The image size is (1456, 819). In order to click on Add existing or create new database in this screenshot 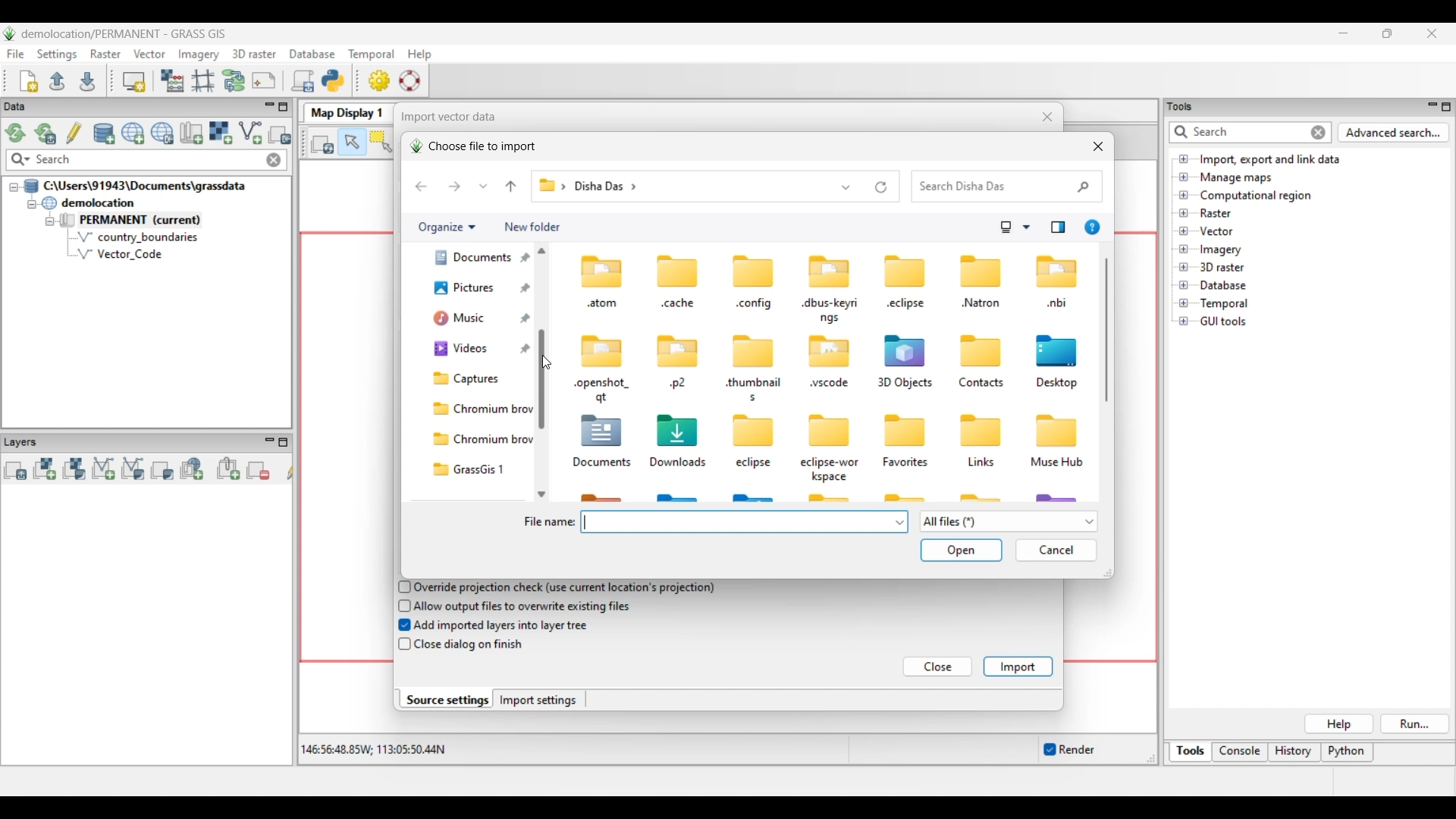, I will do `click(105, 134)`.